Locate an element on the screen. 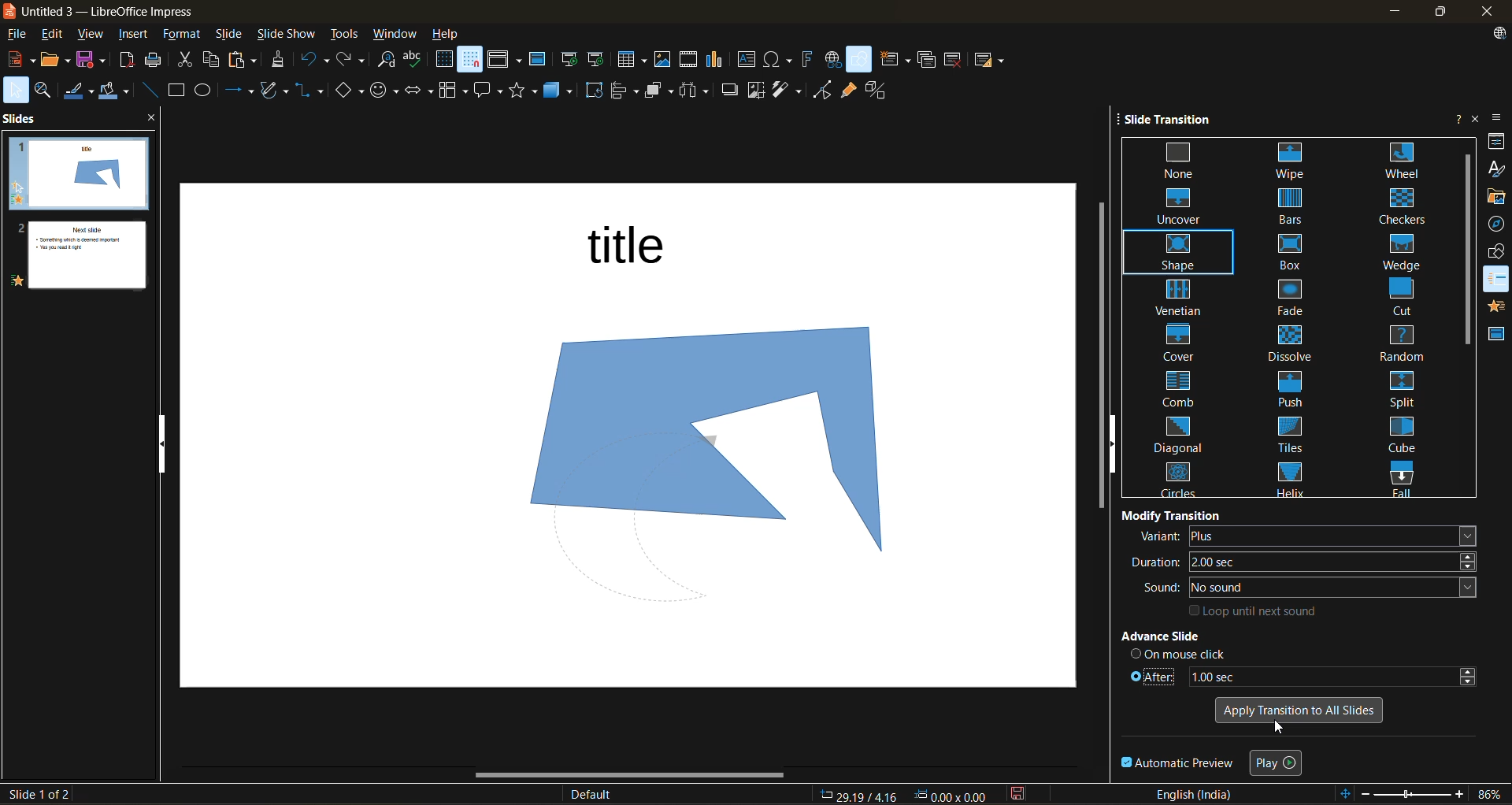 This screenshot has width=1512, height=805. vertical scroll bar is located at coordinates (1099, 360).